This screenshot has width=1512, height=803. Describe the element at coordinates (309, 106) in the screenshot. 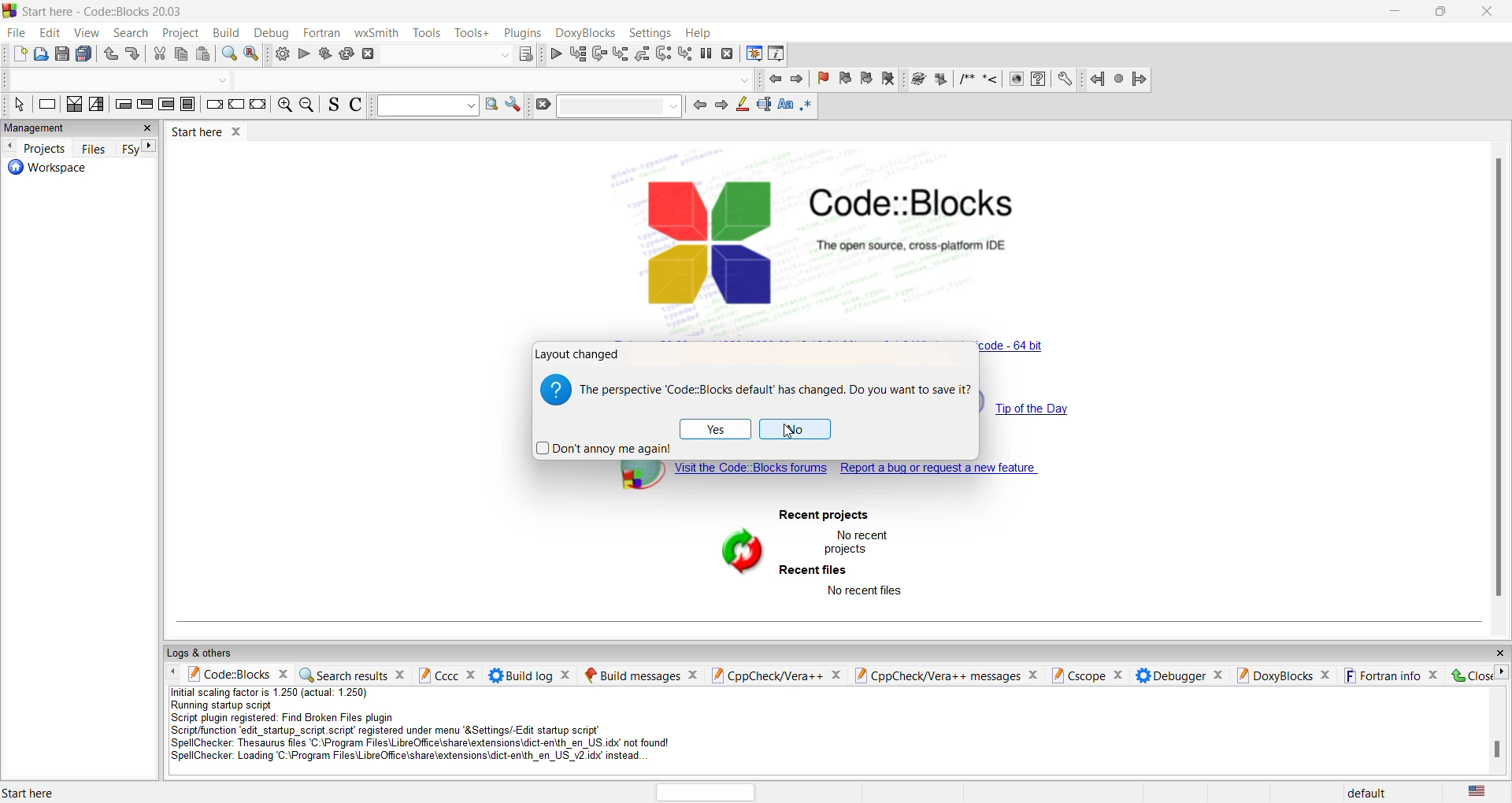

I see `zoom out` at that location.